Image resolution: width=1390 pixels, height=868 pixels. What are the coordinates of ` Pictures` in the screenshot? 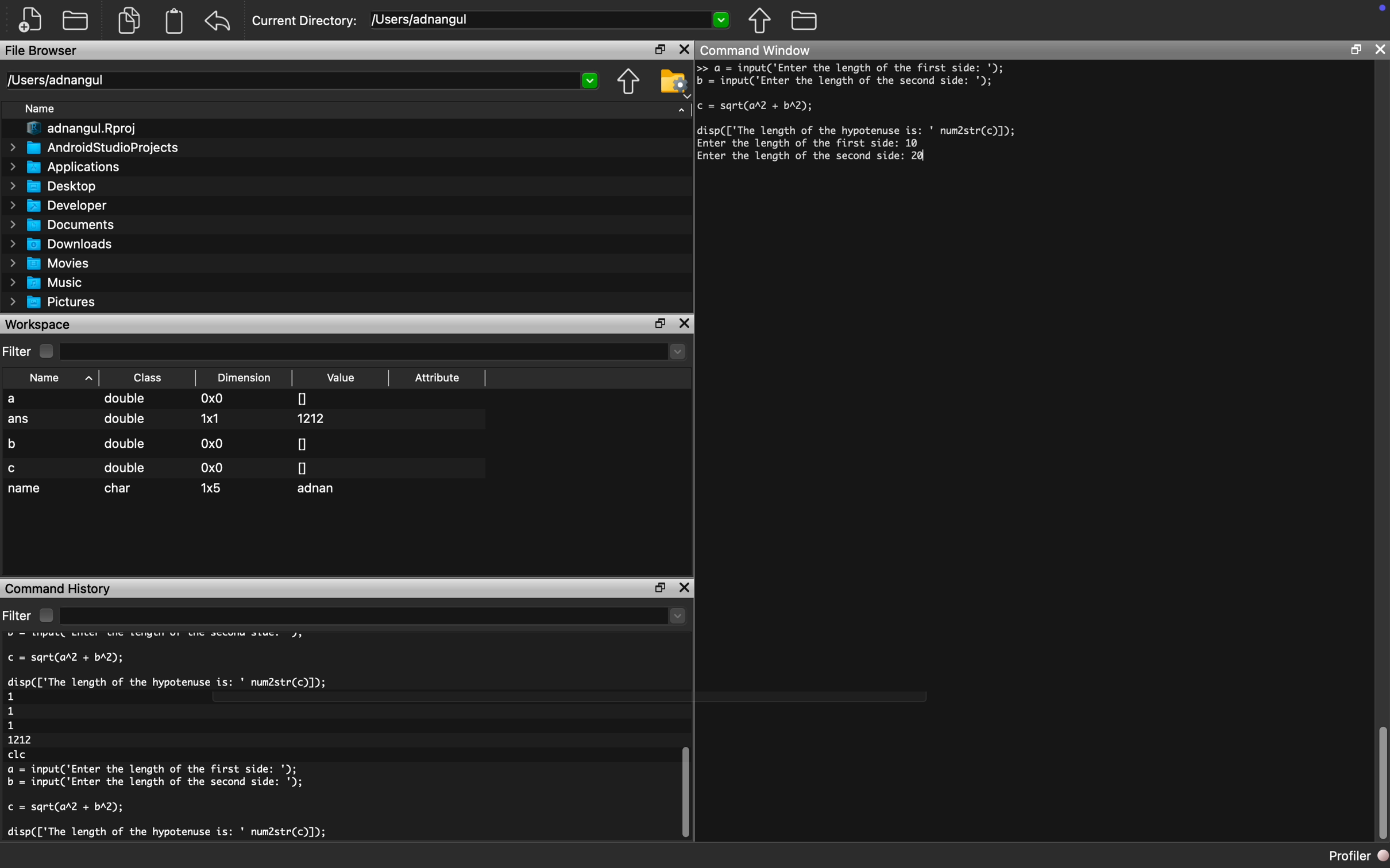 It's located at (57, 302).